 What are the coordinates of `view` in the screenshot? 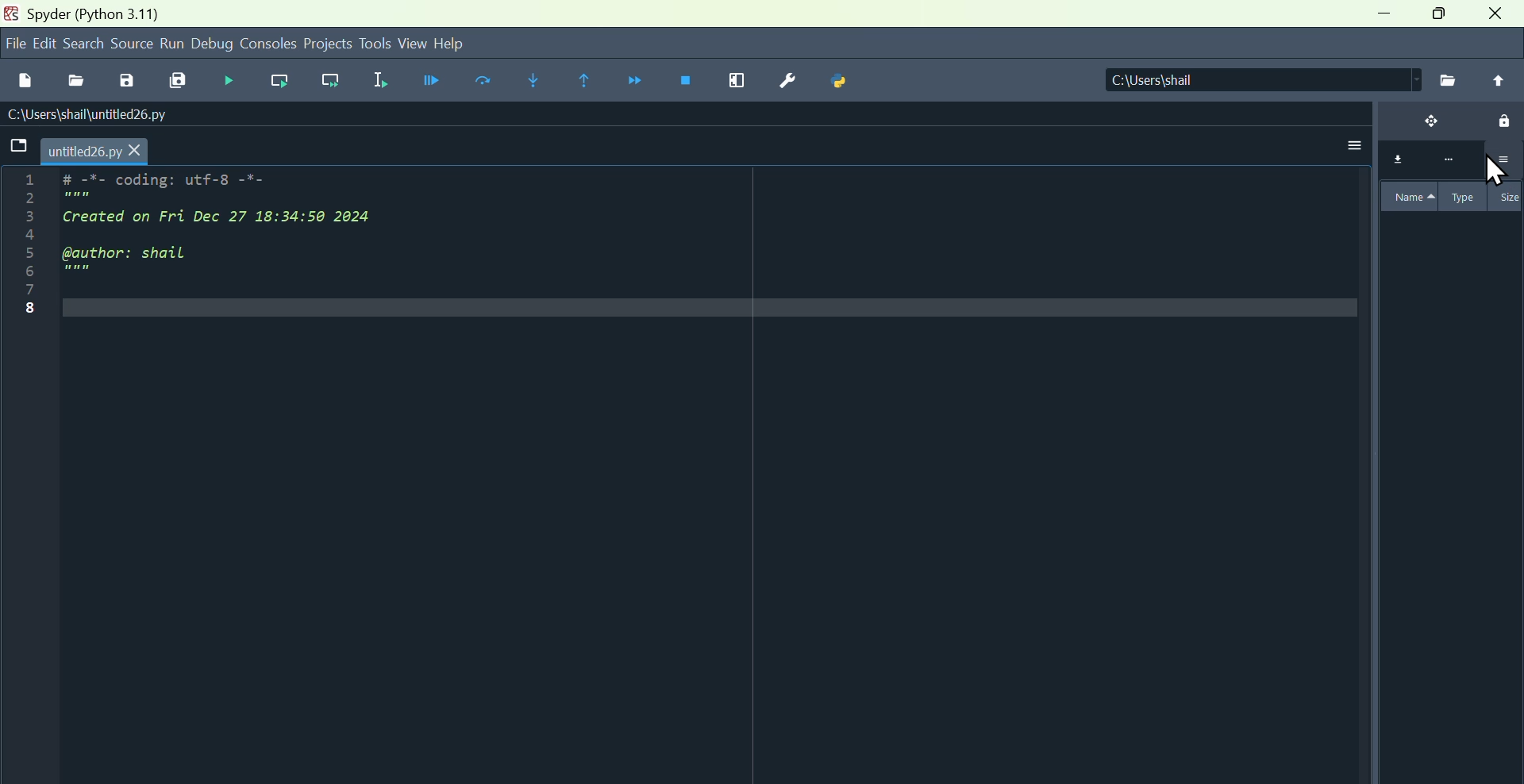 It's located at (412, 44).